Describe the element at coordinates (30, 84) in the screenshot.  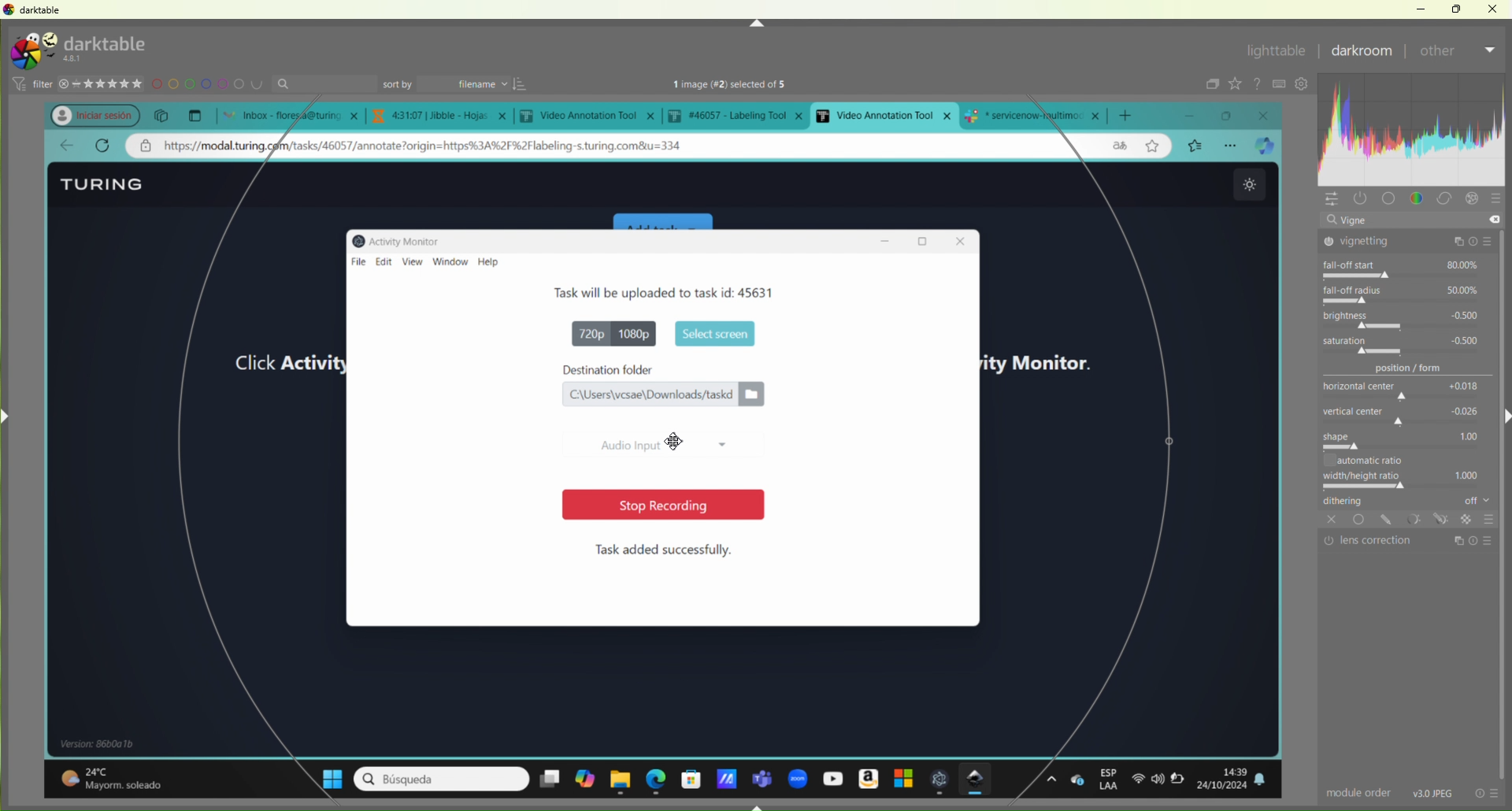
I see `filter` at that location.